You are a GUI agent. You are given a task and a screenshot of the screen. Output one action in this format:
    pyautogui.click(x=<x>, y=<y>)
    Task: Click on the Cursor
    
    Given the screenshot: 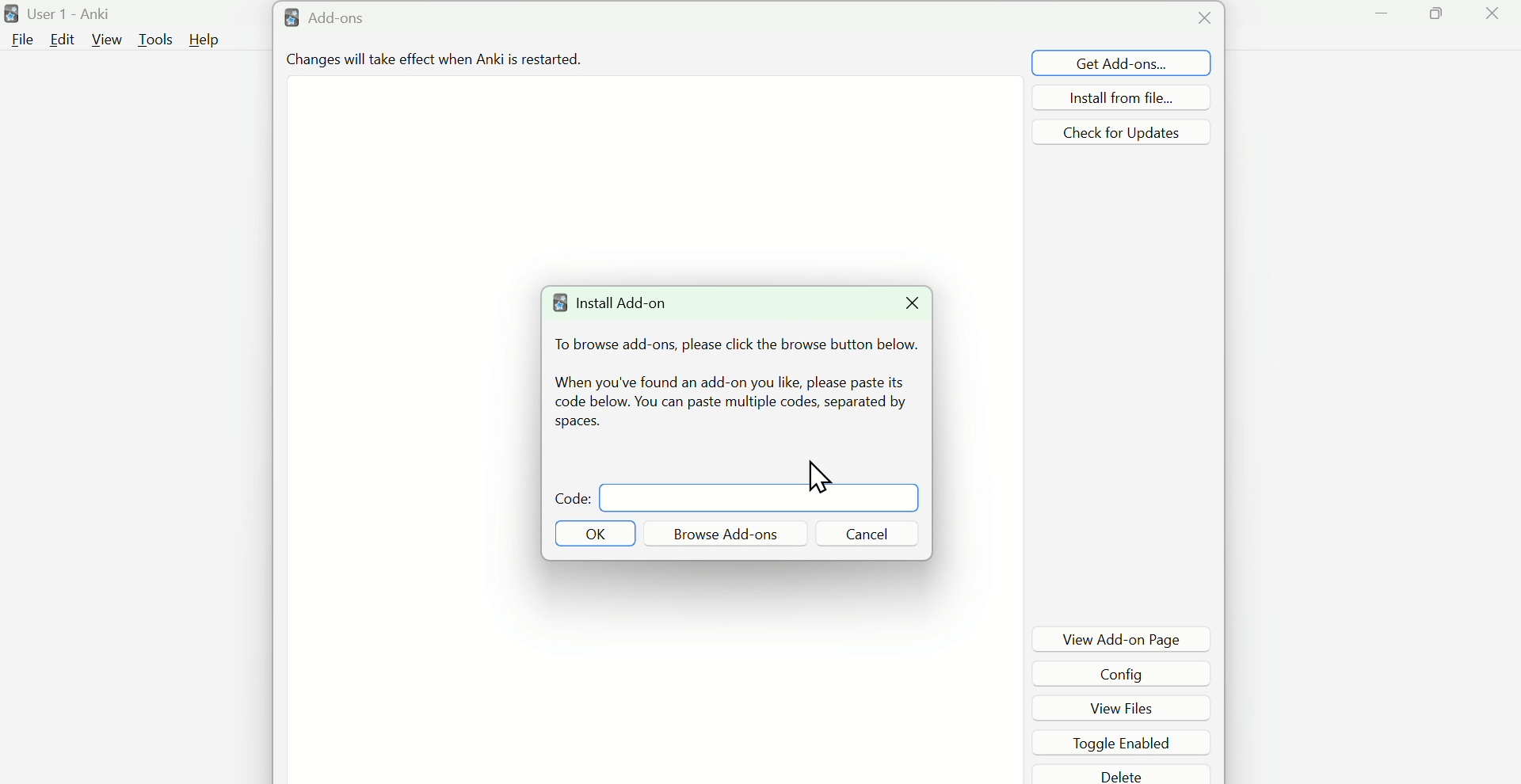 What is the action you would take?
    pyautogui.click(x=810, y=476)
    